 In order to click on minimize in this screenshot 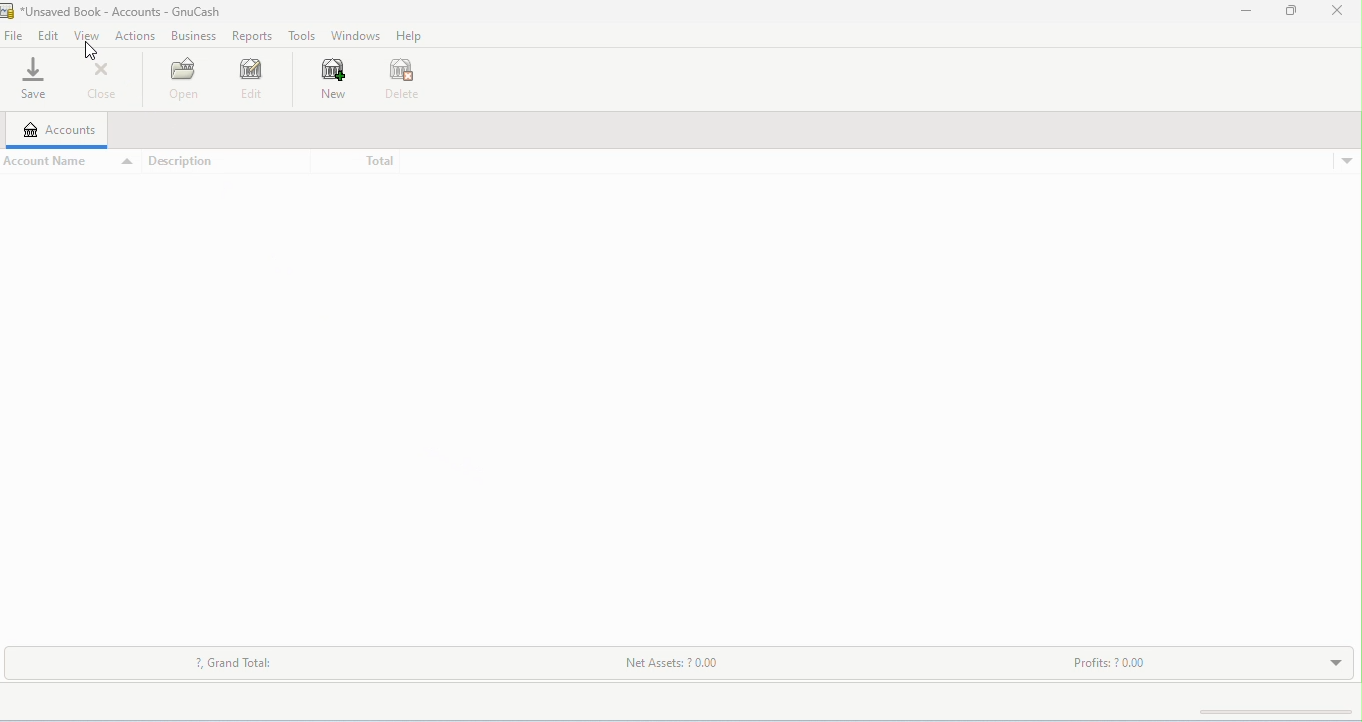, I will do `click(1247, 11)`.